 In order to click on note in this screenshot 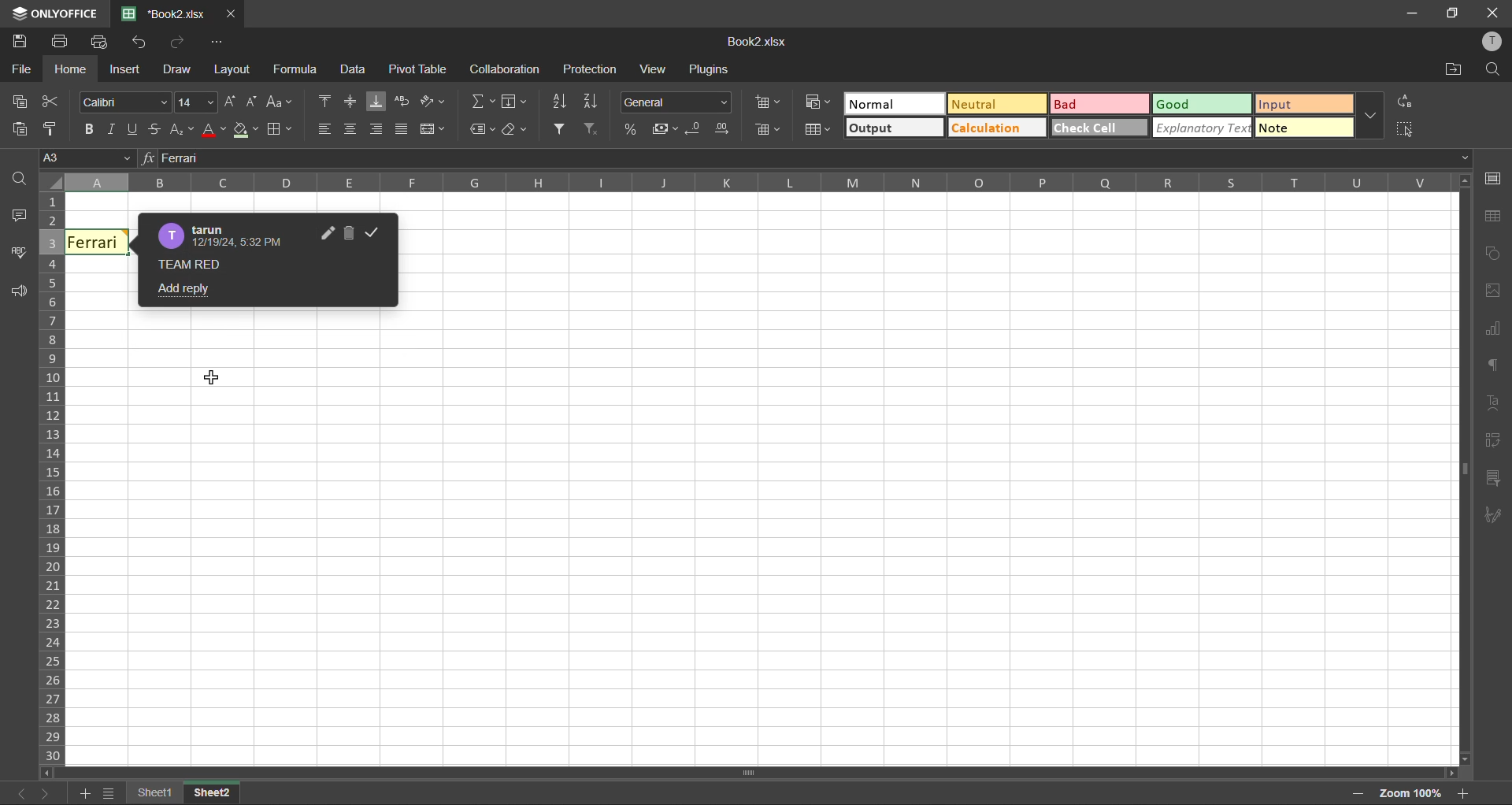, I will do `click(1300, 128)`.